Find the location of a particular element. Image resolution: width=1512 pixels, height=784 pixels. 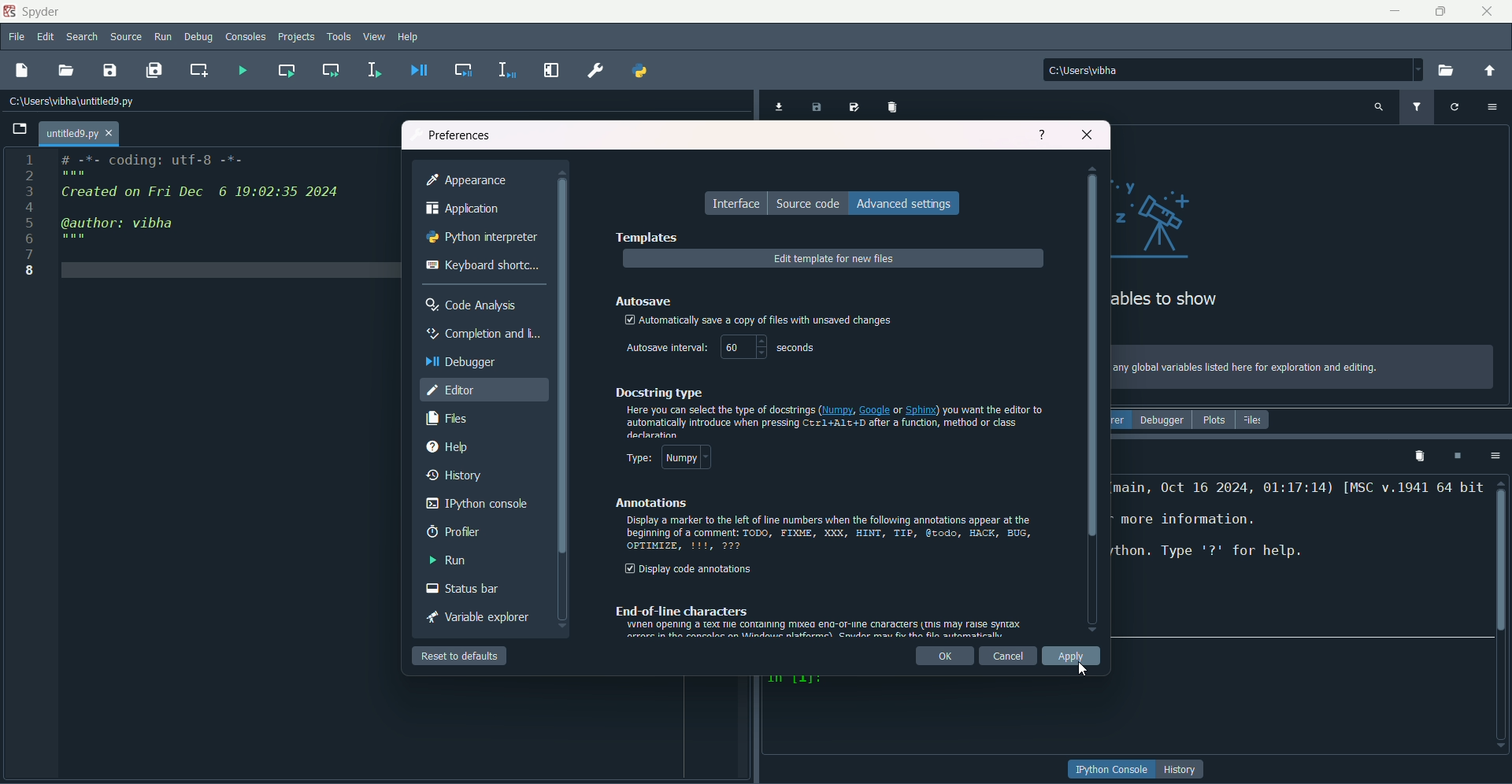

debug file is located at coordinates (414, 70).